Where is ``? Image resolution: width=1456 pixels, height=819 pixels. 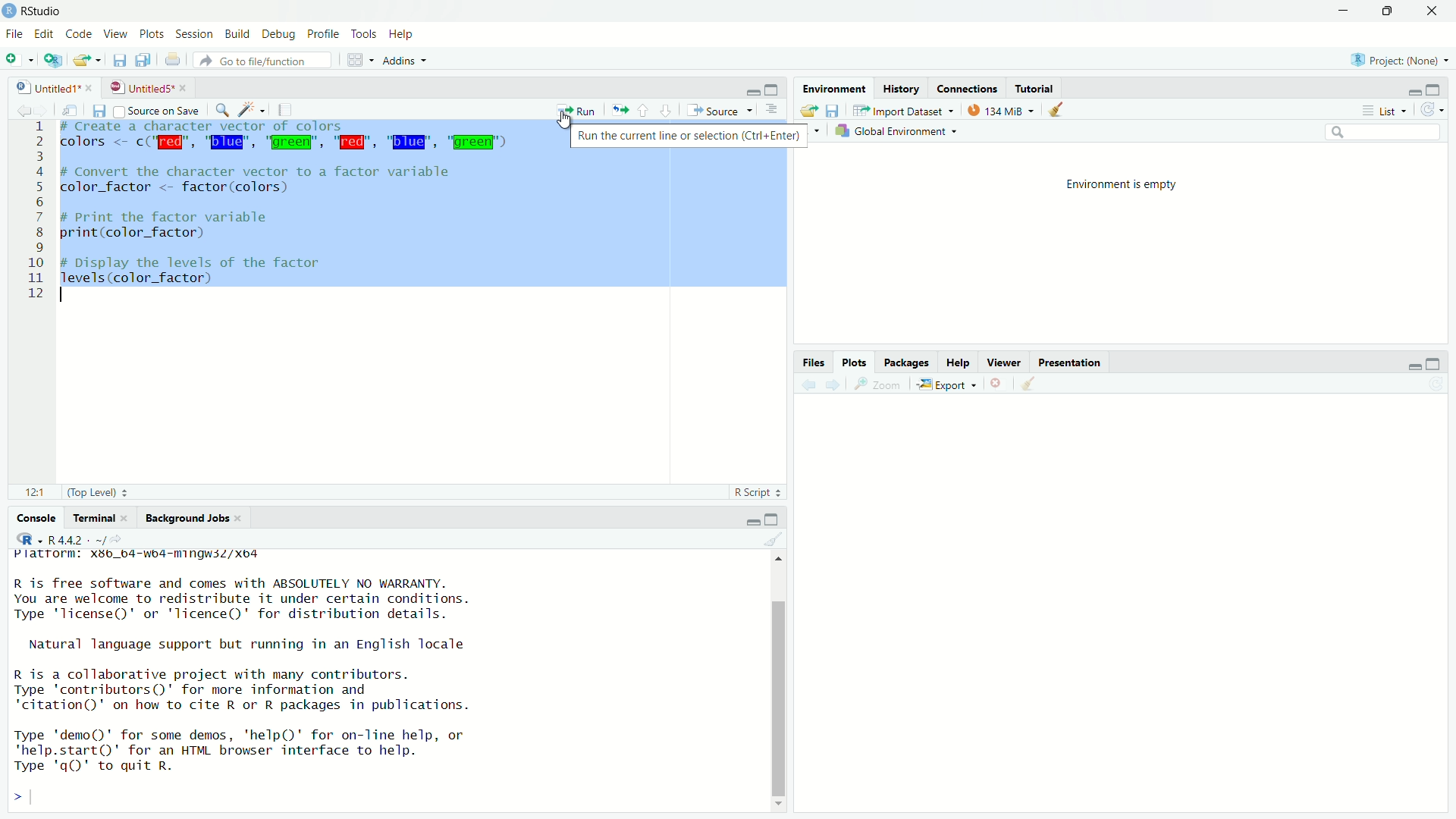  is located at coordinates (31, 217).